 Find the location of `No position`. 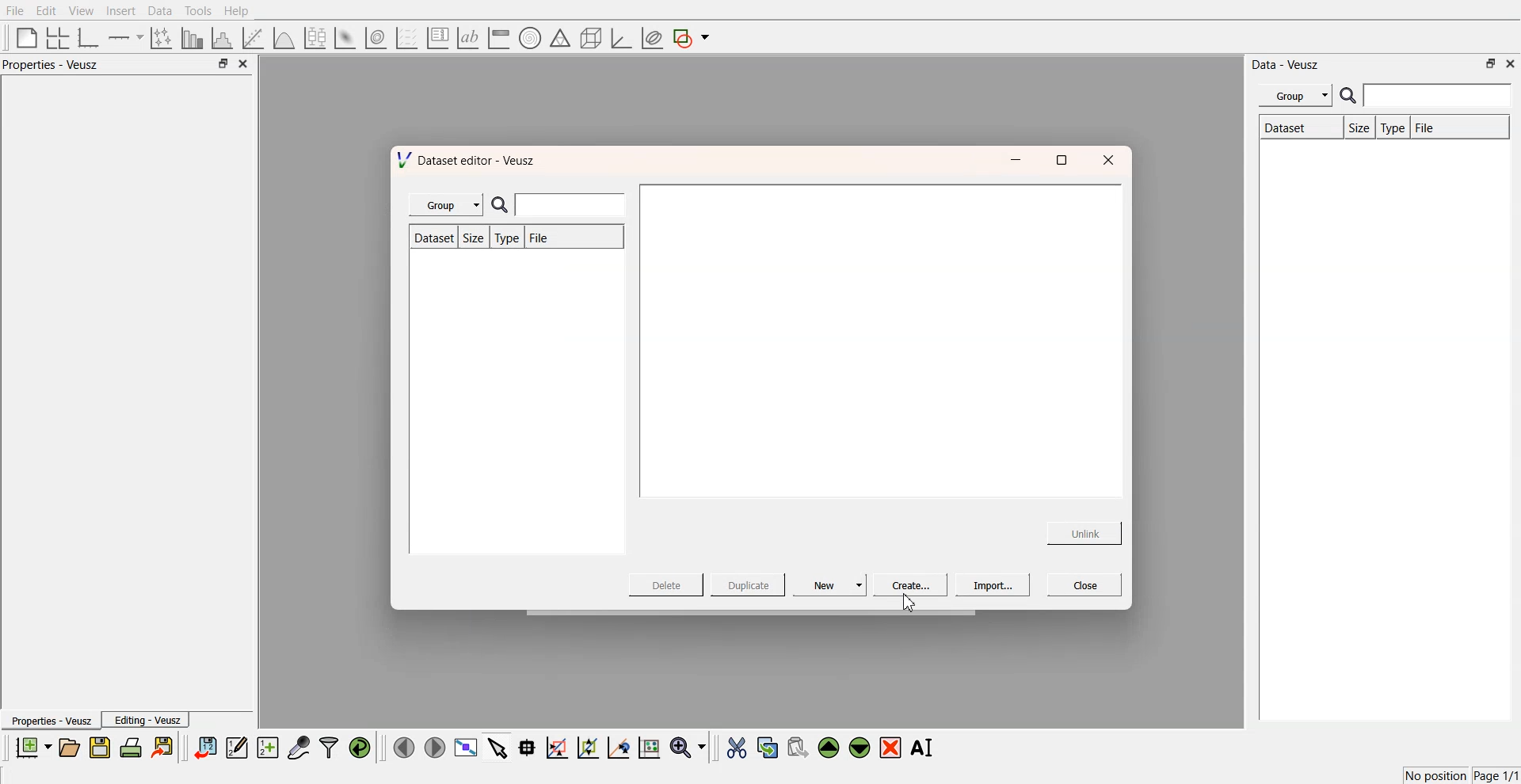

No position is located at coordinates (1438, 774).